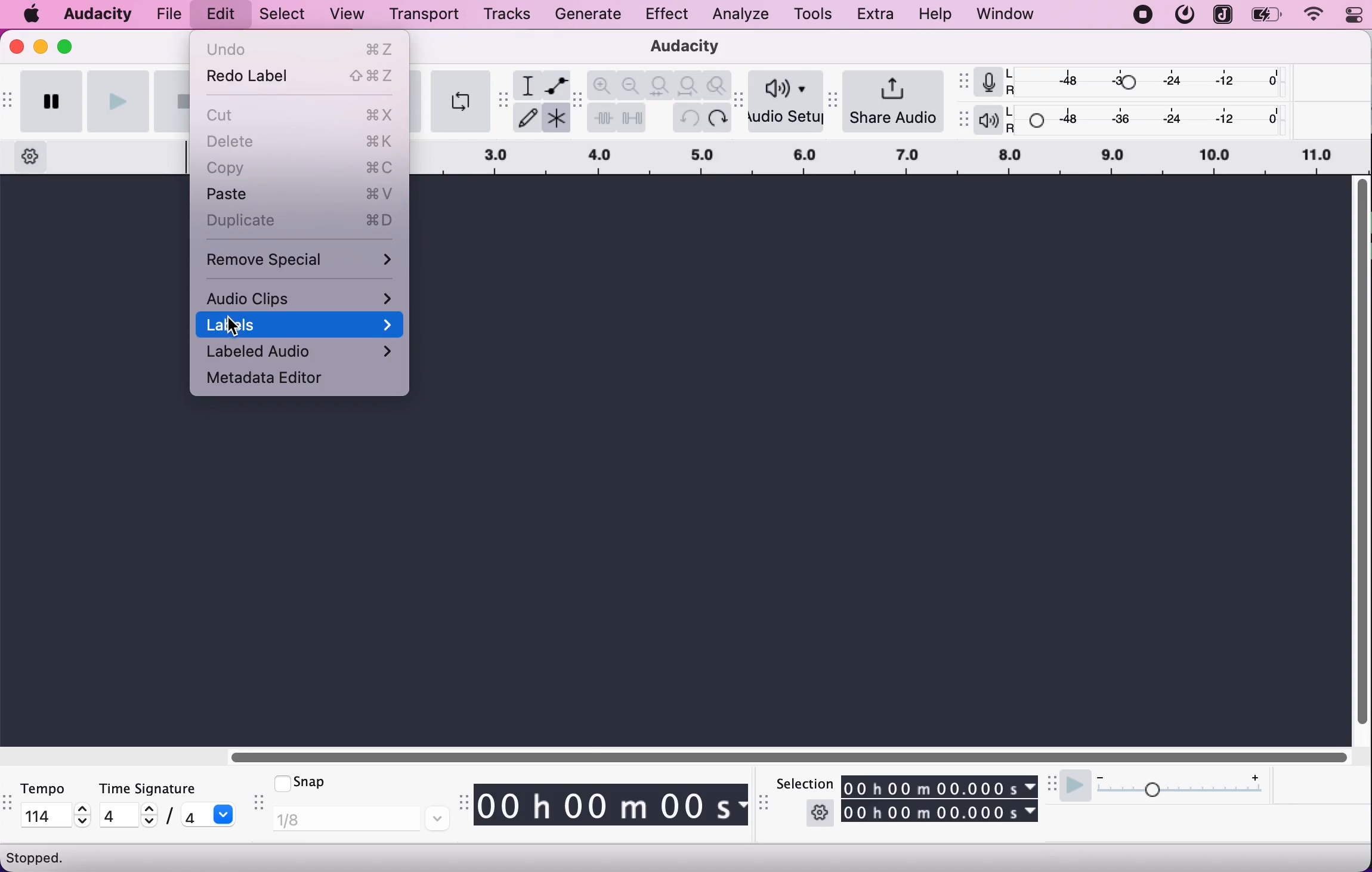  What do you see at coordinates (803, 783) in the screenshot?
I see `selection` at bounding box center [803, 783].